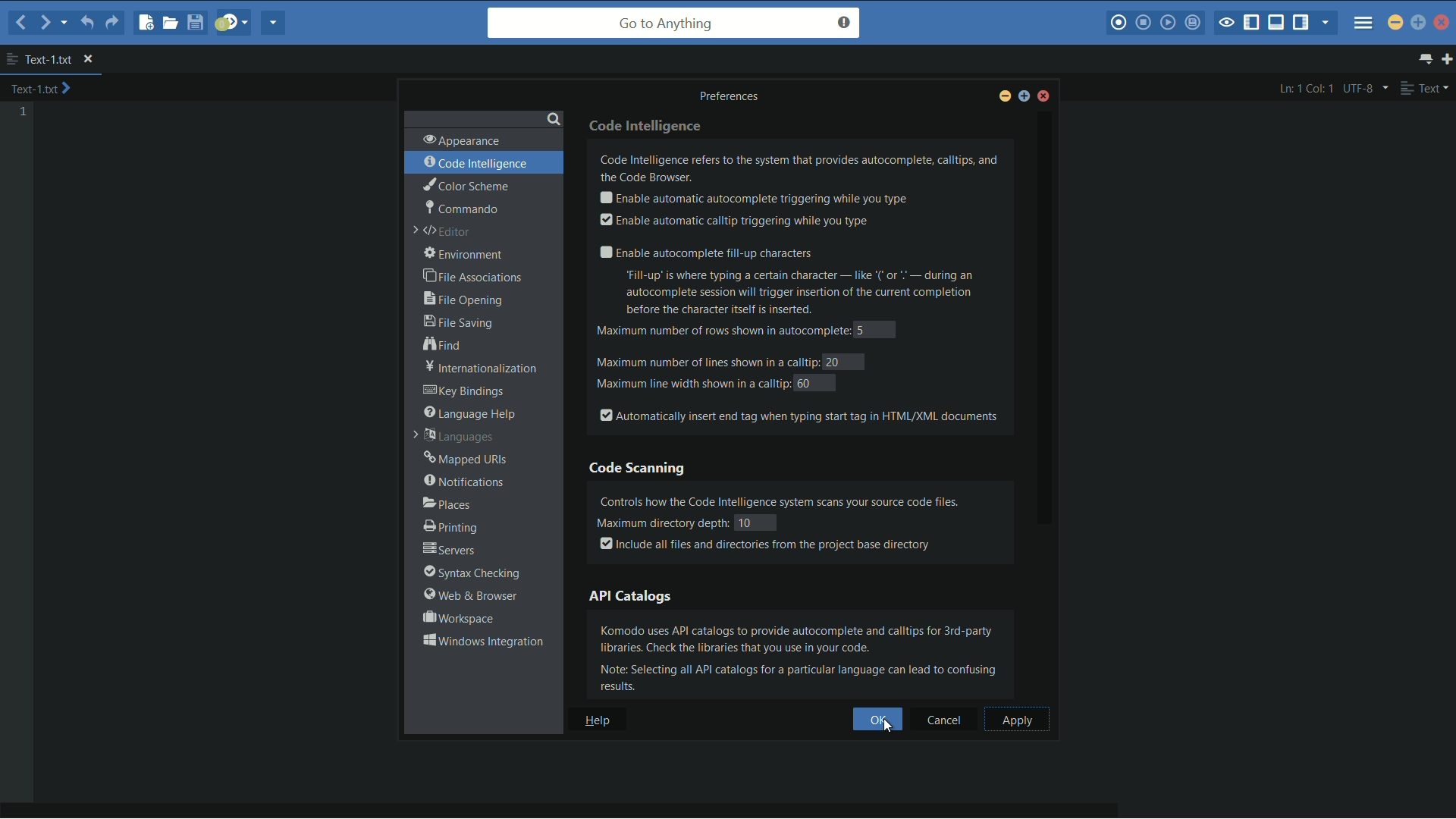 Image resolution: width=1456 pixels, height=819 pixels. I want to click on horizontal scroll bar, so click(576, 810).